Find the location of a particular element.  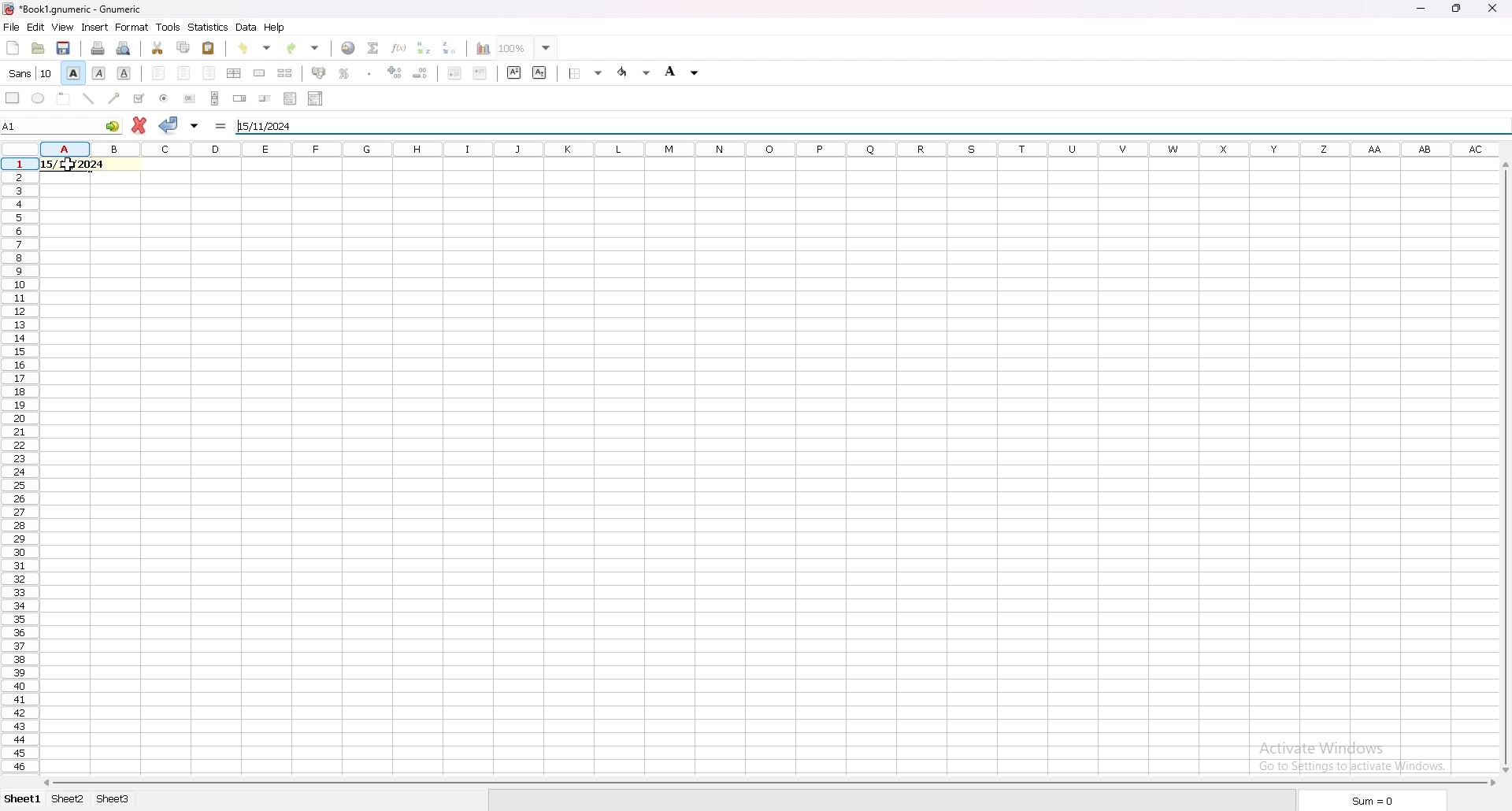

percentage is located at coordinates (345, 73).